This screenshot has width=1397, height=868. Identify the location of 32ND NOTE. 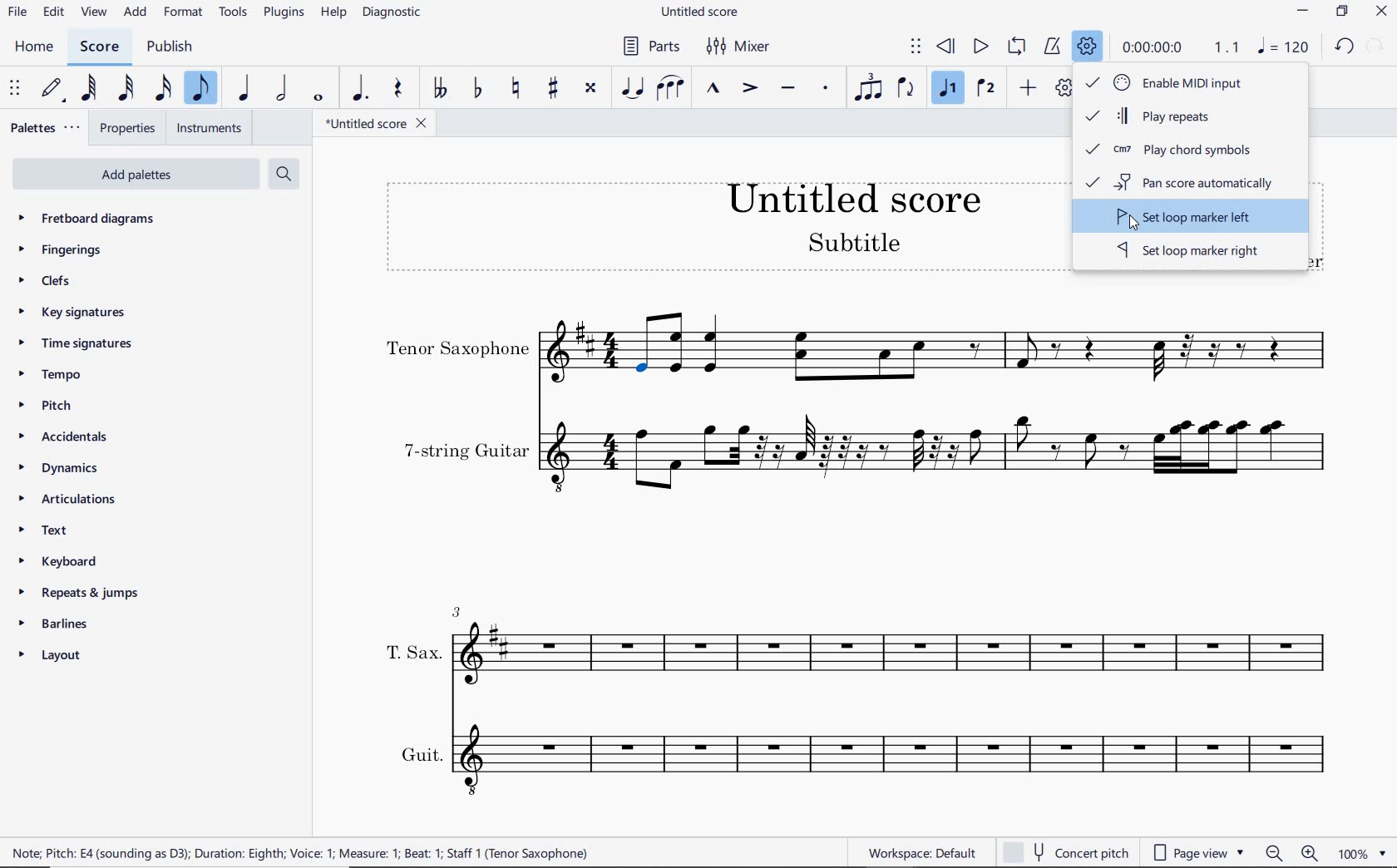
(125, 88).